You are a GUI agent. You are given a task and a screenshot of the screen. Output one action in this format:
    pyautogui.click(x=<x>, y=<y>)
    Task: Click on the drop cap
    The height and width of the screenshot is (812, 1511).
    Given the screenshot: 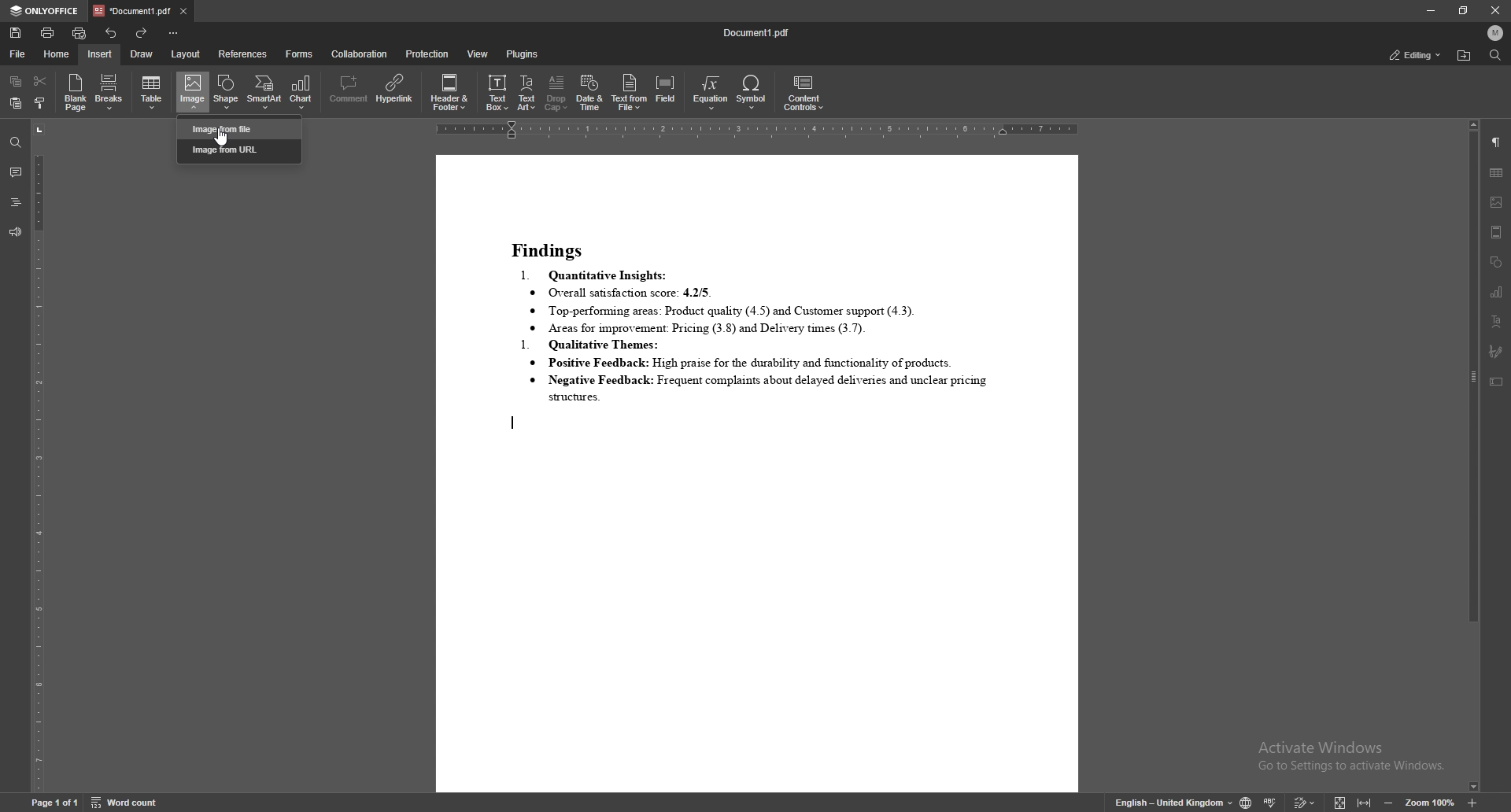 What is the action you would take?
    pyautogui.click(x=558, y=92)
    